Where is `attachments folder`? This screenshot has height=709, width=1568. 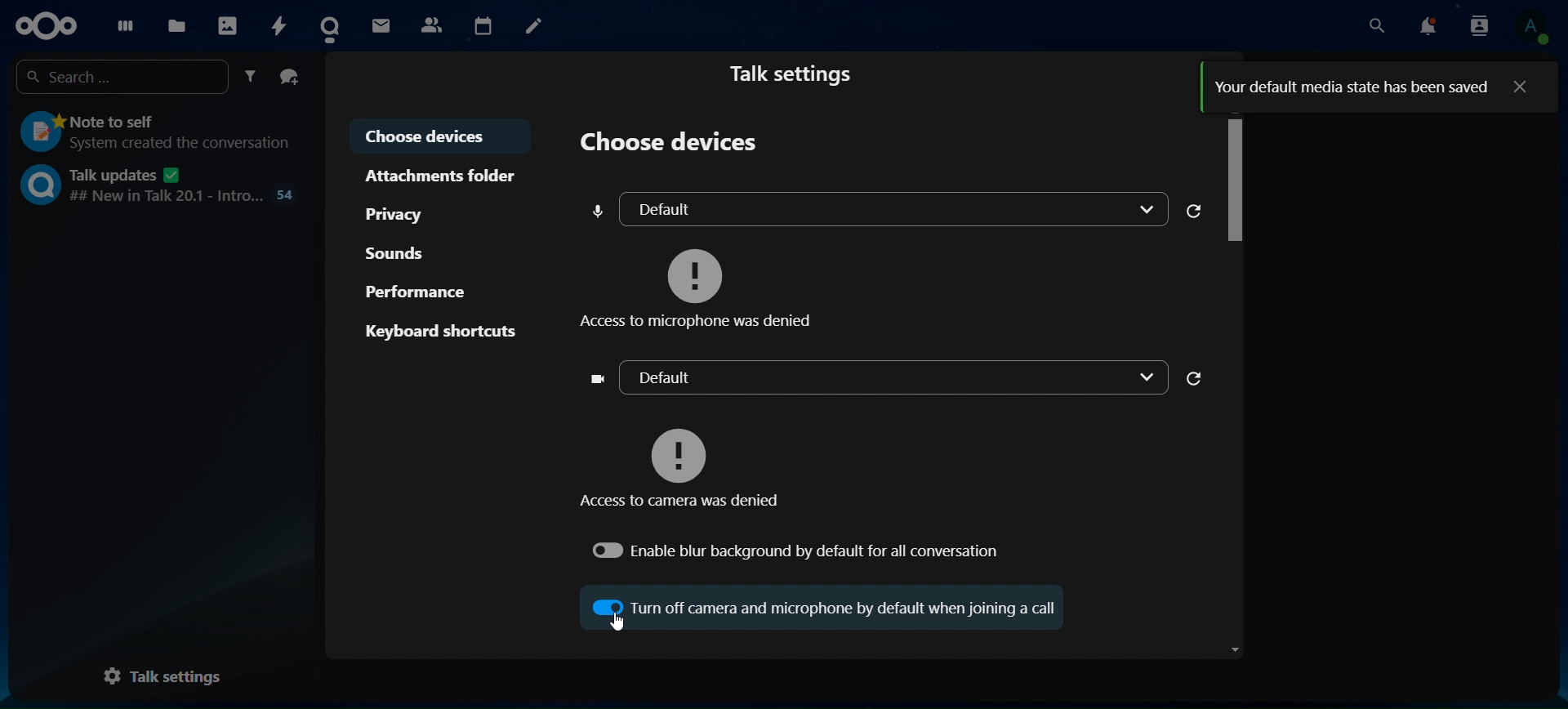
attachments folder is located at coordinates (442, 176).